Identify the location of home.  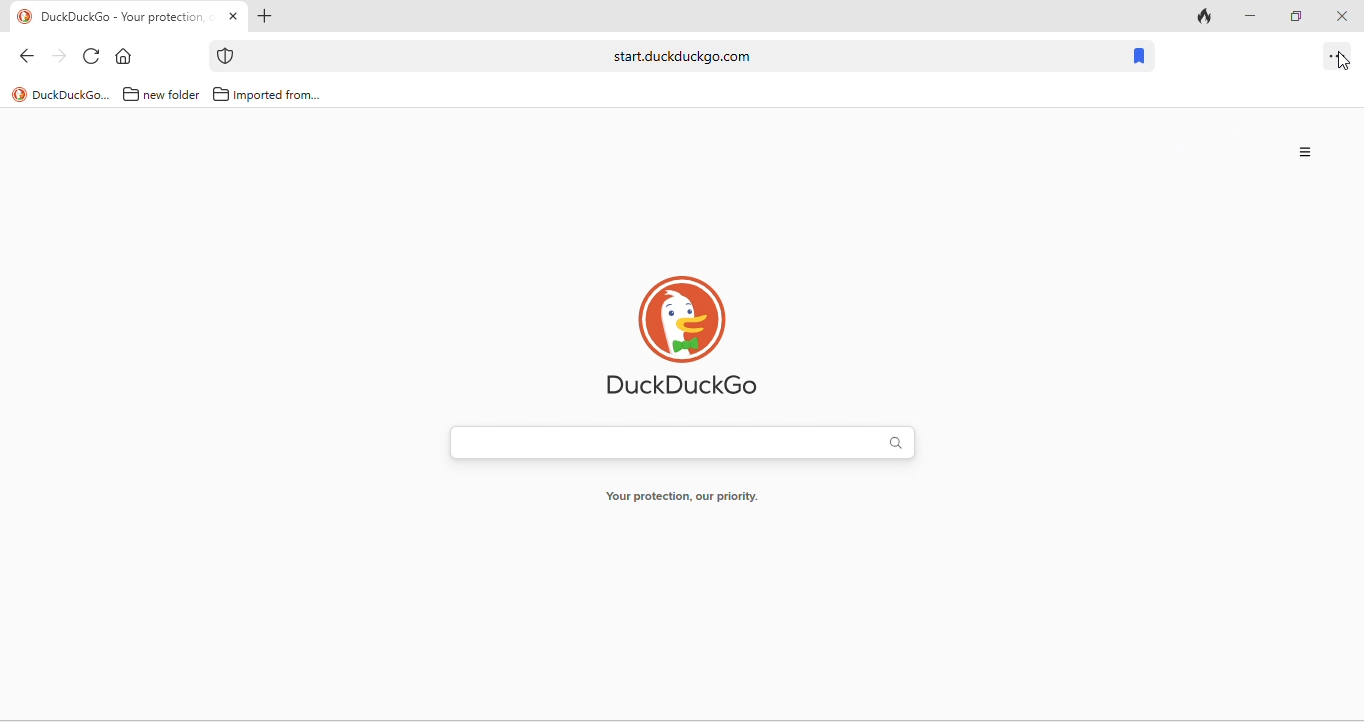
(125, 55).